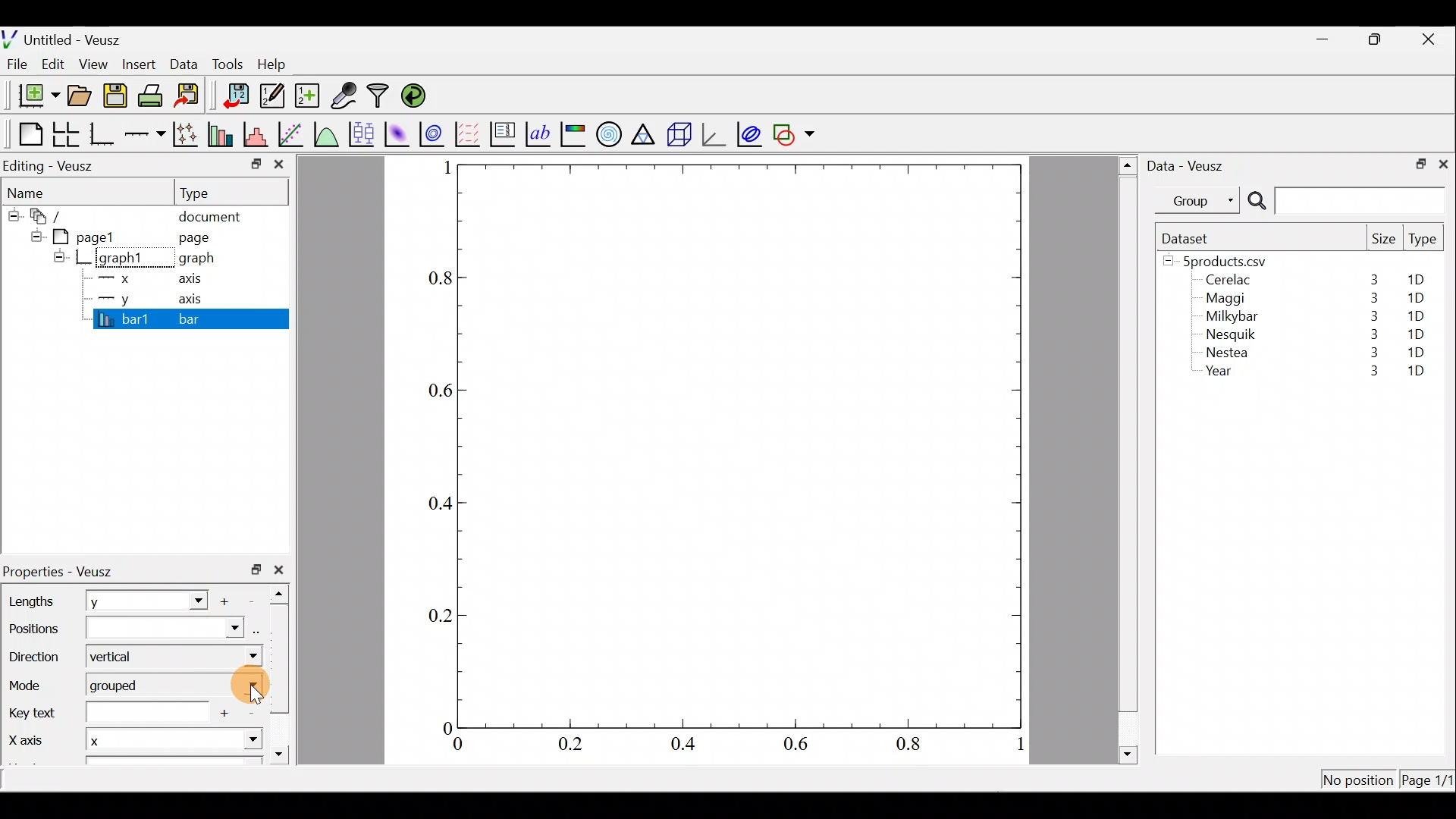  What do you see at coordinates (1373, 279) in the screenshot?
I see `3` at bounding box center [1373, 279].